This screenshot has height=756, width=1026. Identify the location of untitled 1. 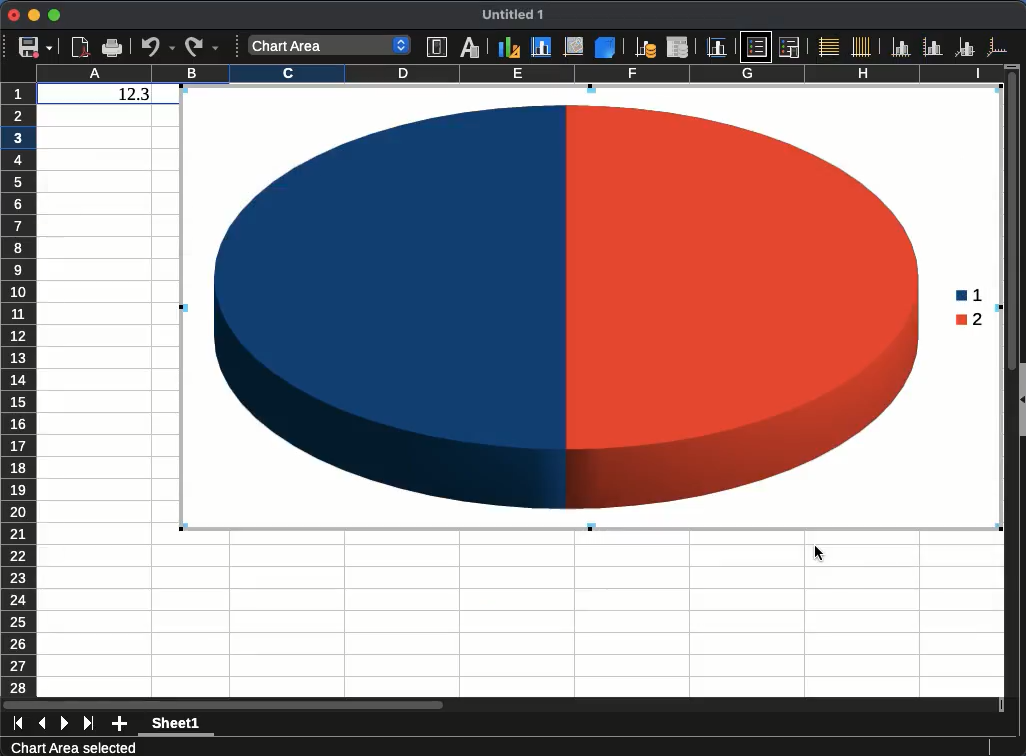
(512, 15).